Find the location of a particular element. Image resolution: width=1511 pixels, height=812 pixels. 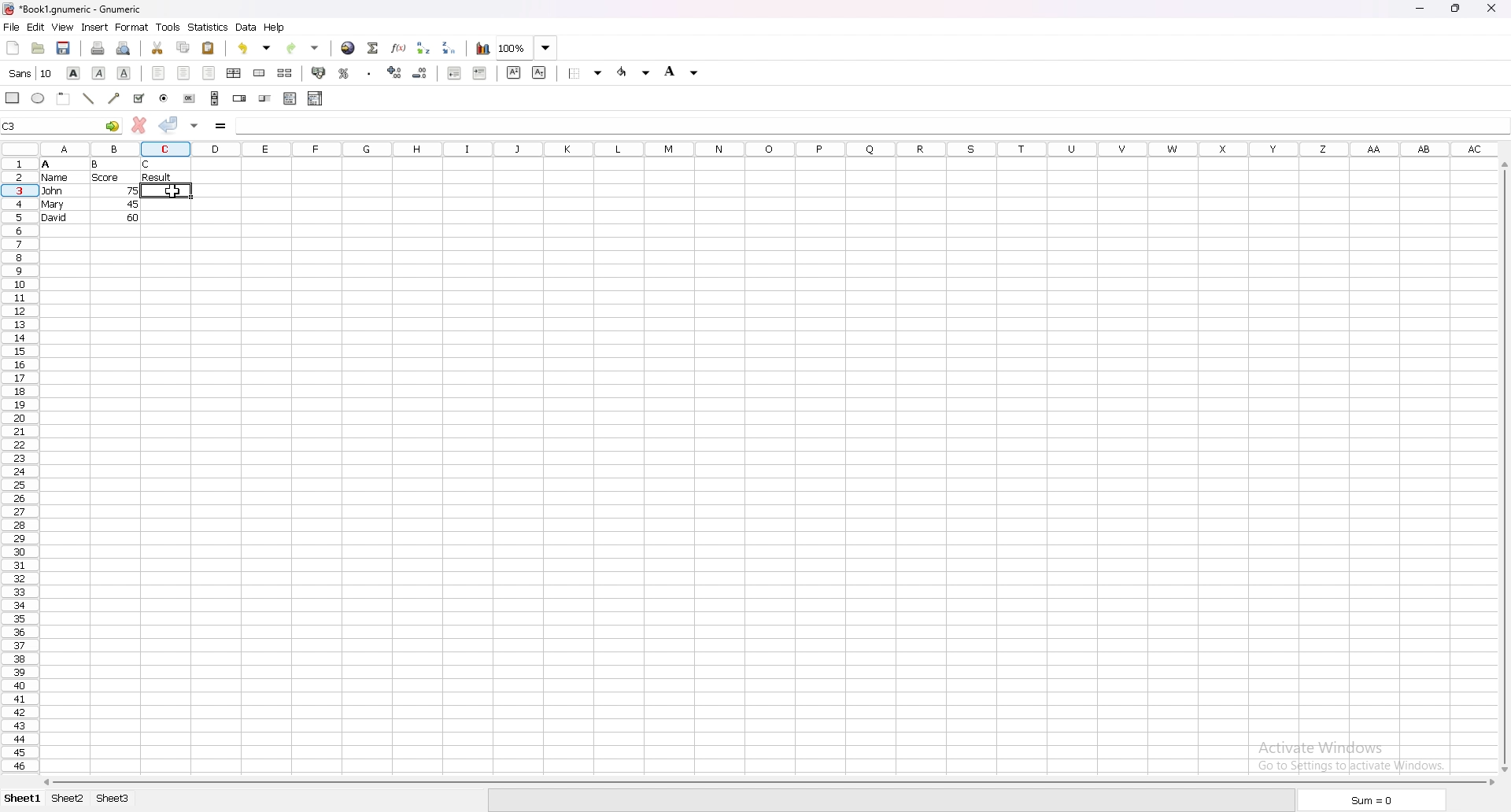

summation is located at coordinates (374, 49).